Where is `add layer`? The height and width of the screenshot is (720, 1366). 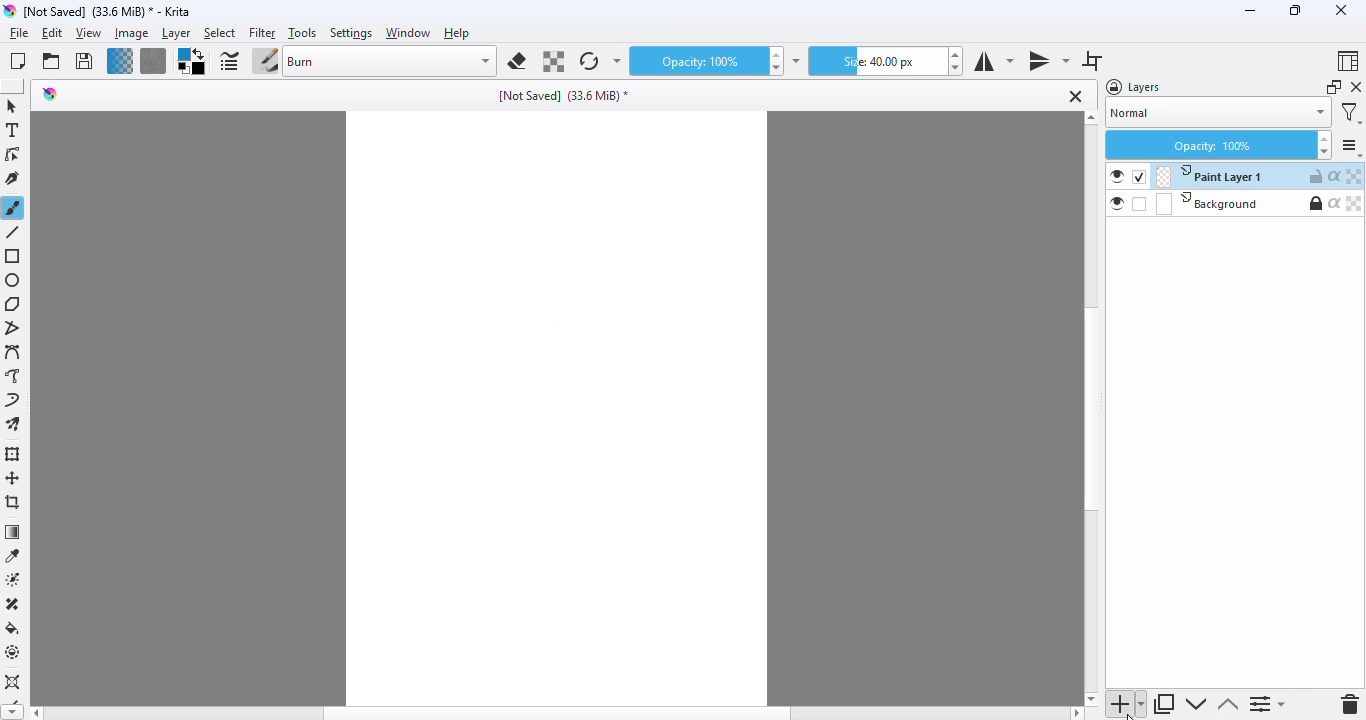
add layer is located at coordinates (1127, 704).